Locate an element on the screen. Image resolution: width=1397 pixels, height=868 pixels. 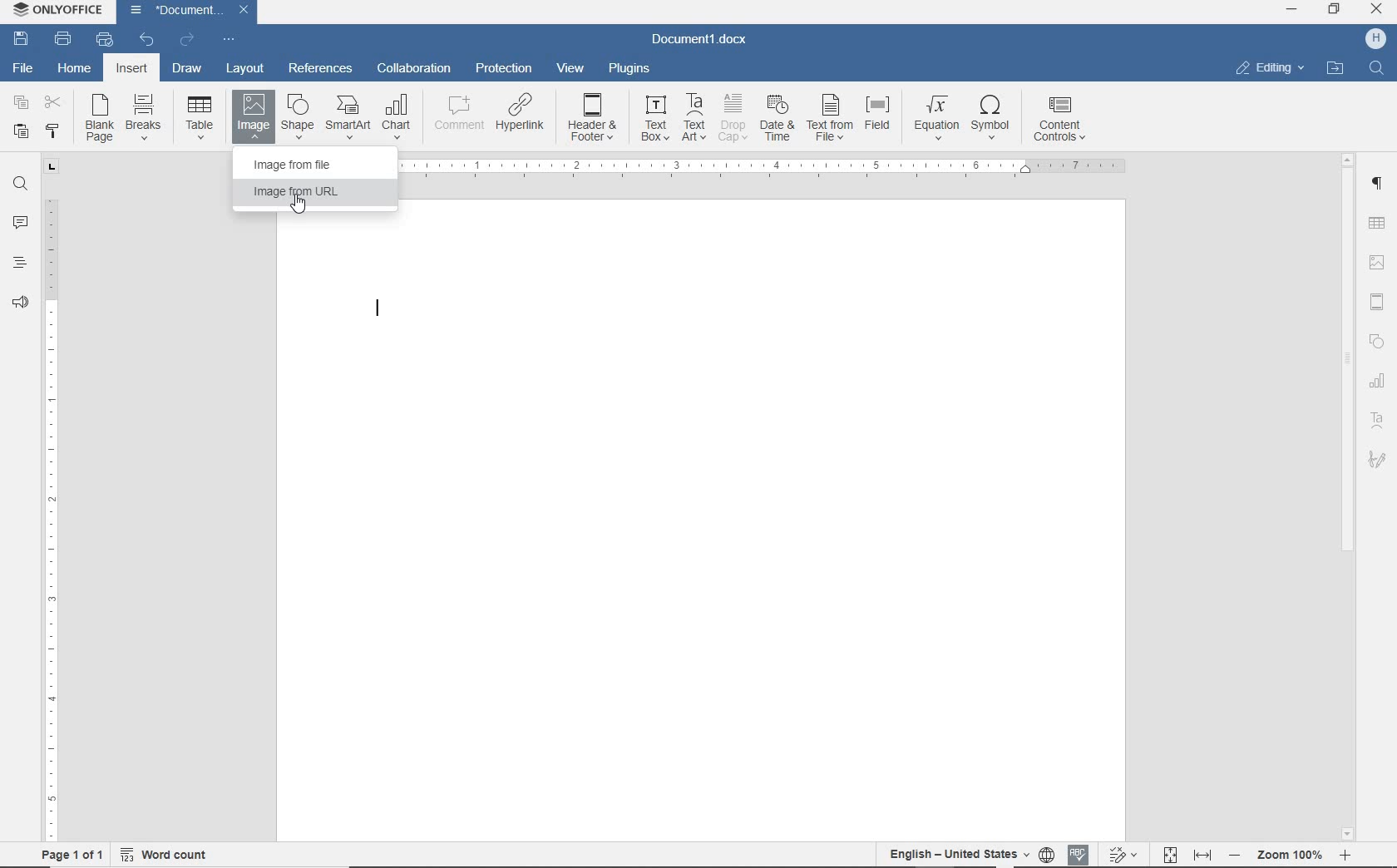
headings is located at coordinates (18, 262).